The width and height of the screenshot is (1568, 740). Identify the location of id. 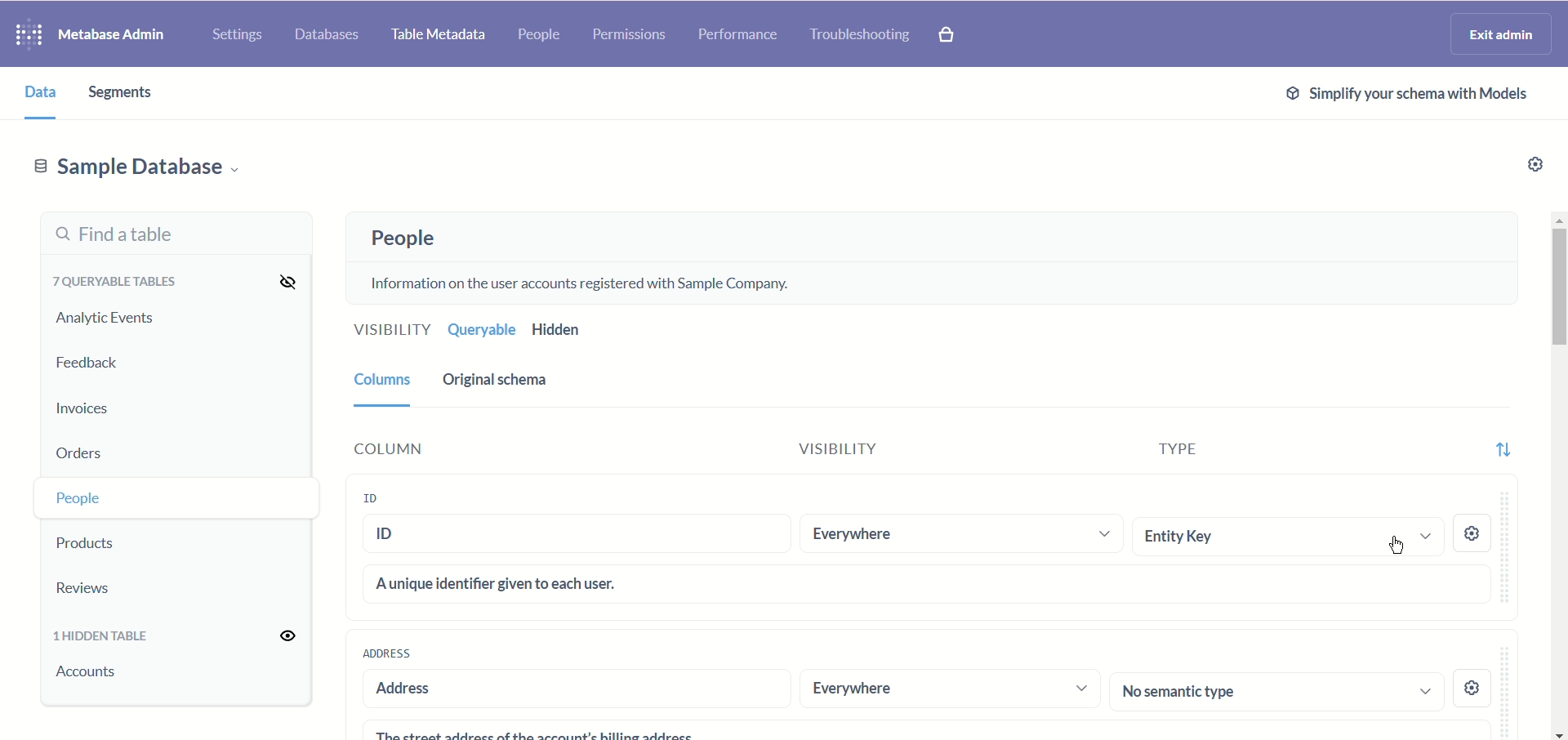
(386, 497).